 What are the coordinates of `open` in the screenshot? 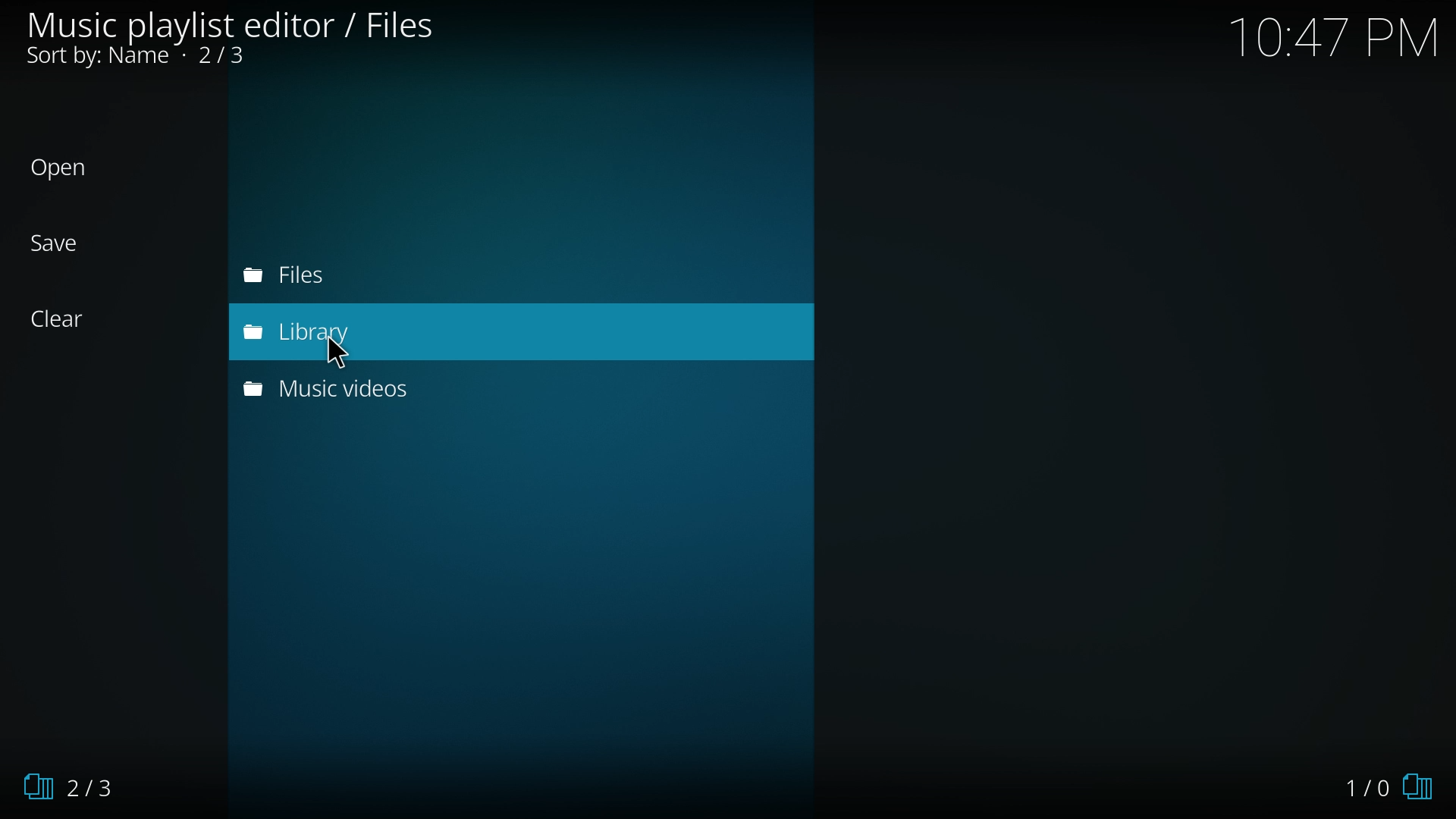 It's located at (87, 168).